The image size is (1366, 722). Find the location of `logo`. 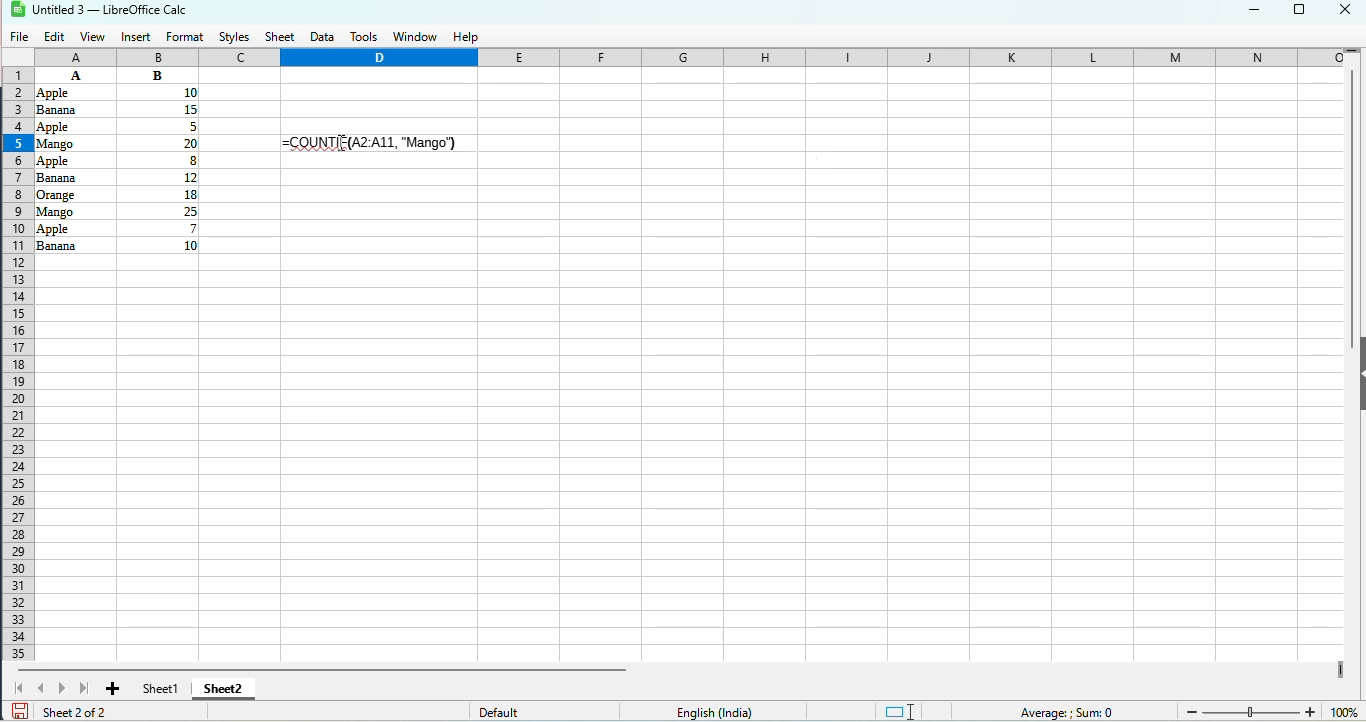

logo is located at coordinates (17, 10).